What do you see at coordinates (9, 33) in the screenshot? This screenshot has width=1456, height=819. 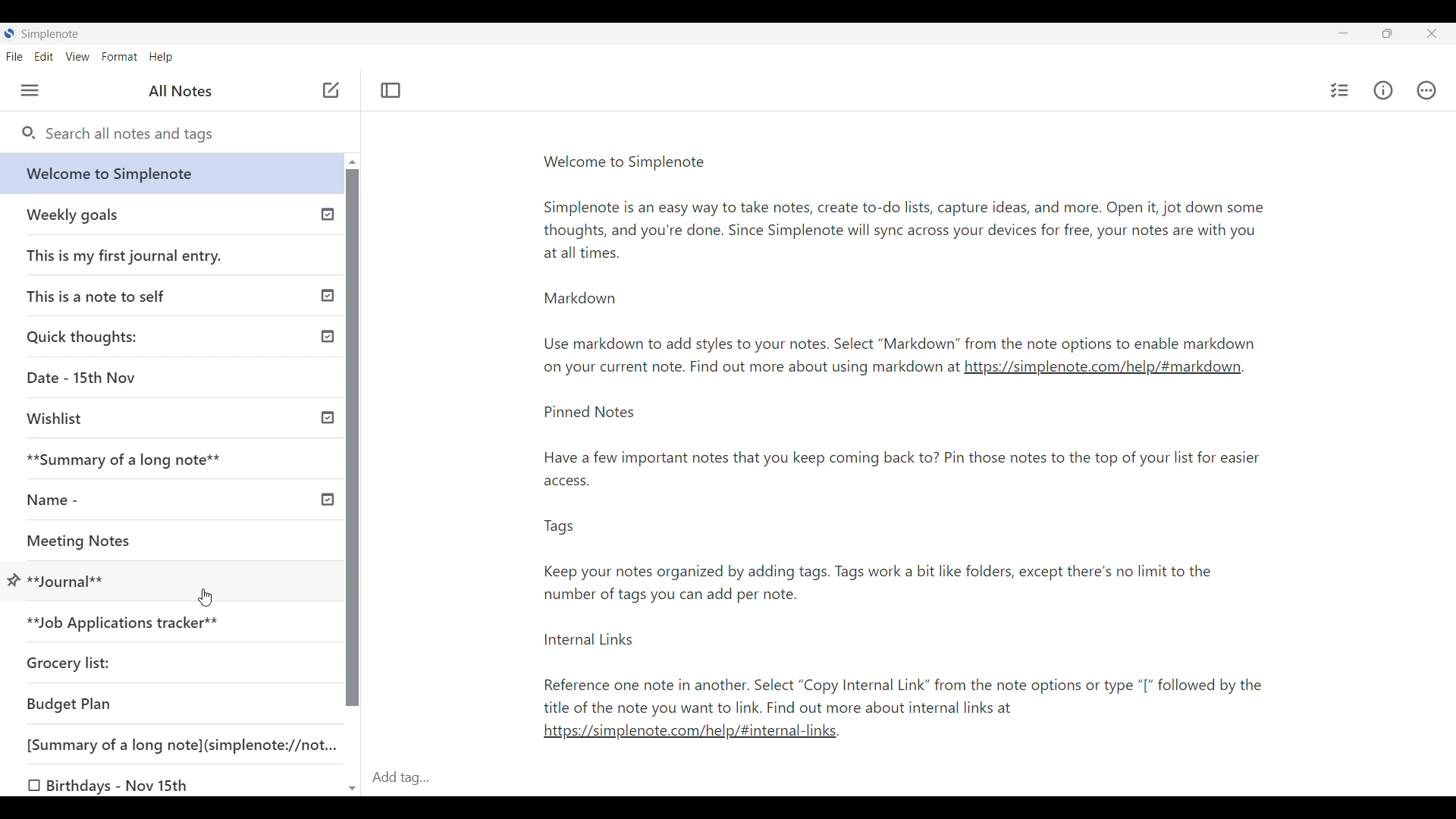 I see `Software logo` at bounding box center [9, 33].